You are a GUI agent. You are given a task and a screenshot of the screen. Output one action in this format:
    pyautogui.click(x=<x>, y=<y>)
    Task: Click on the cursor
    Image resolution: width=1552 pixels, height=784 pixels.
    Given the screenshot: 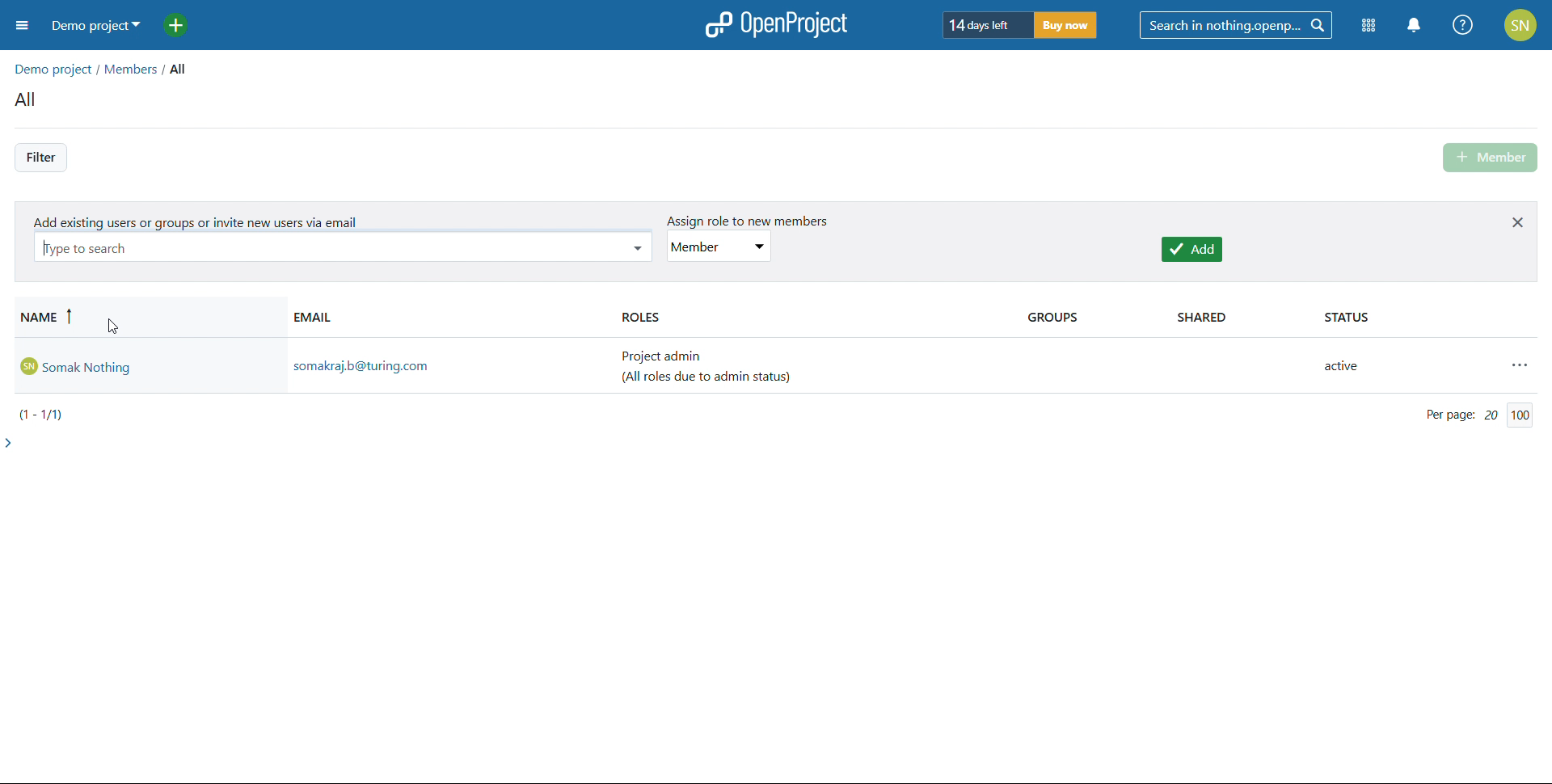 What is the action you would take?
    pyautogui.click(x=112, y=323)
    